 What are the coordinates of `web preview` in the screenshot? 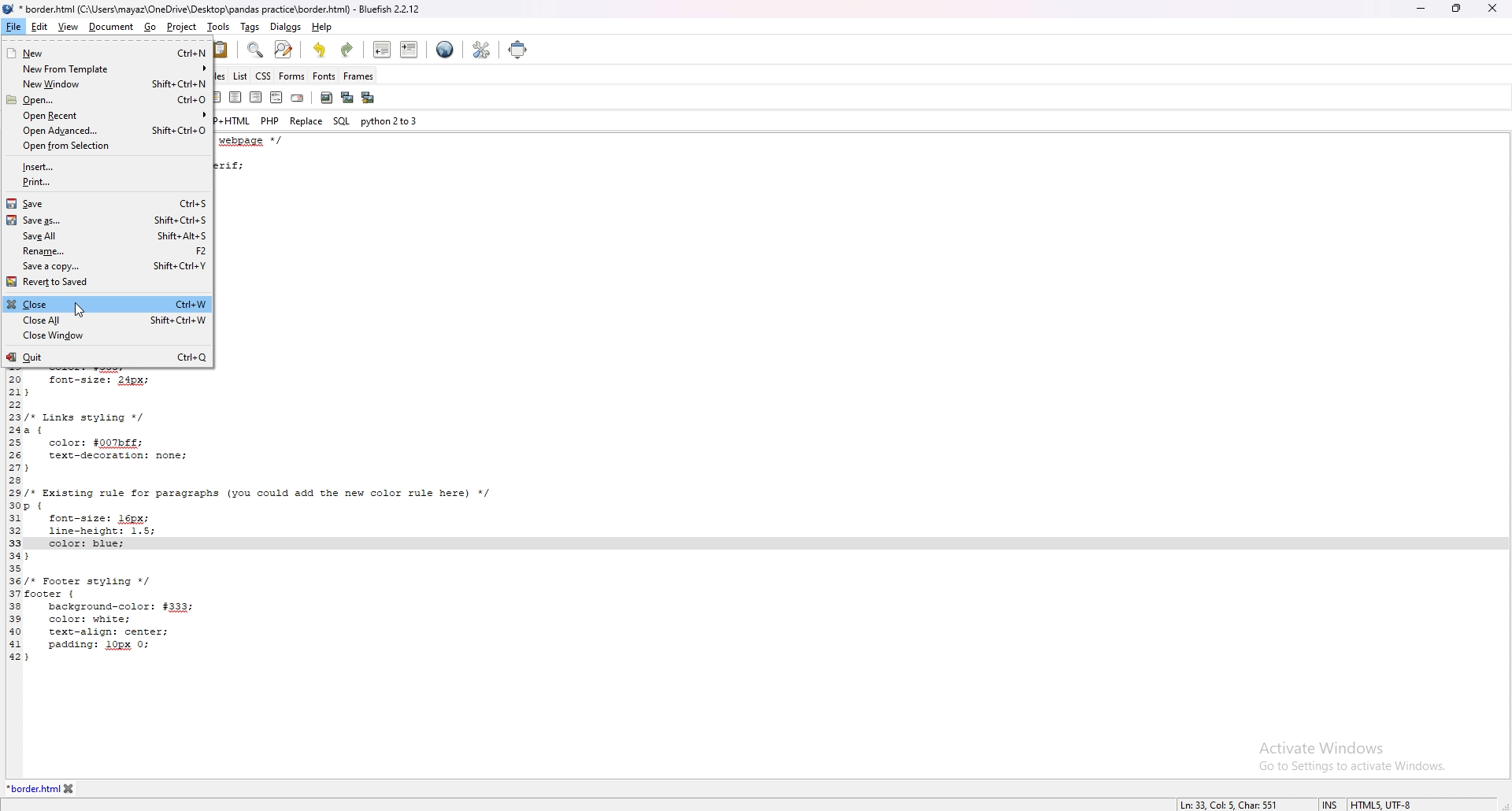 It's located at (445, 50).